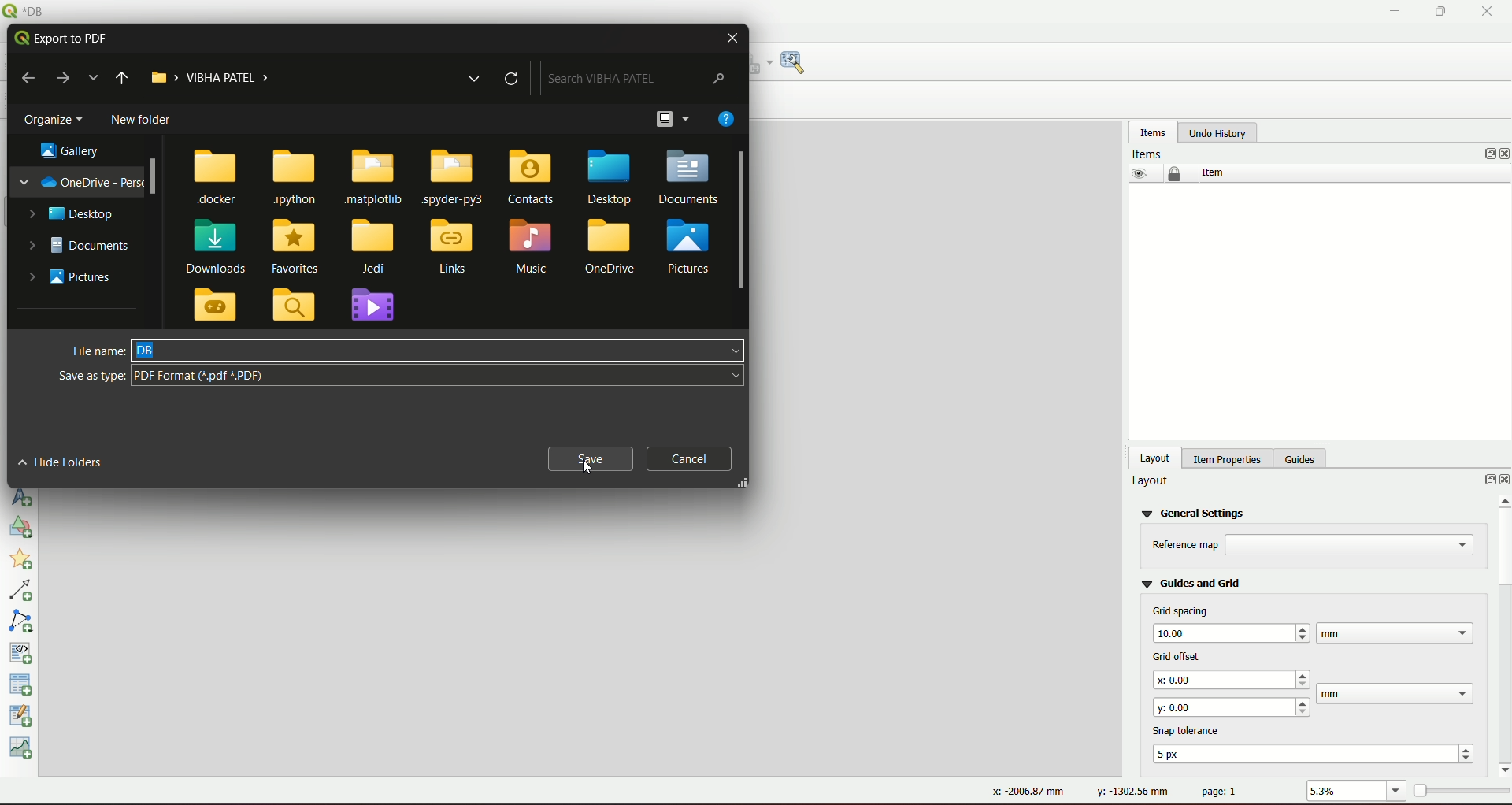  Describe the element at coordinates (217, 177) in the screenshot. I see `.docker` at that location.